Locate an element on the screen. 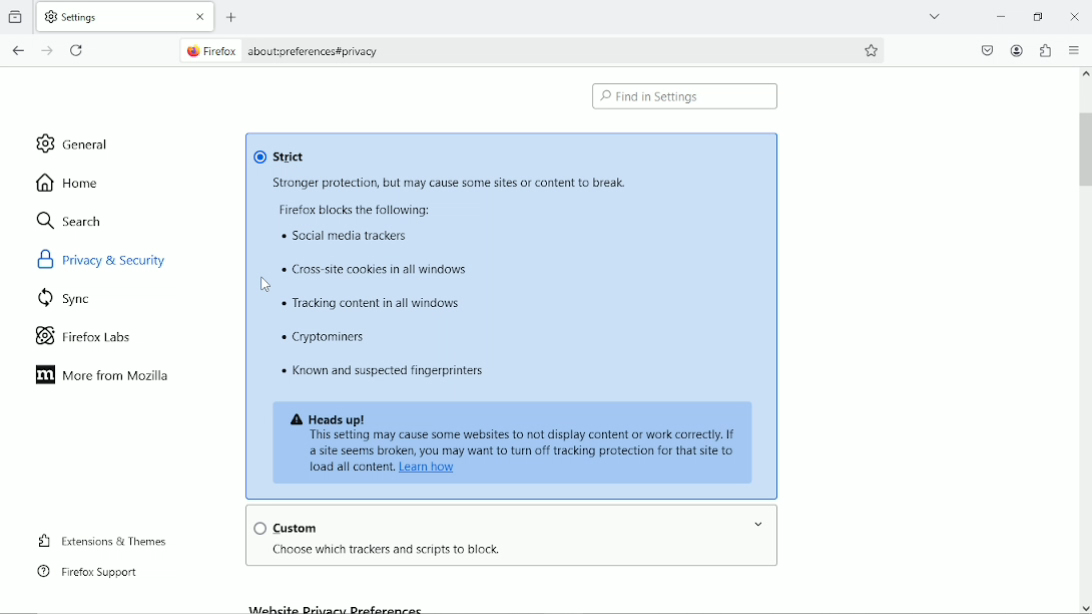 This screenshot has height=614, width=1092. search is located at coordinates (70, 220).